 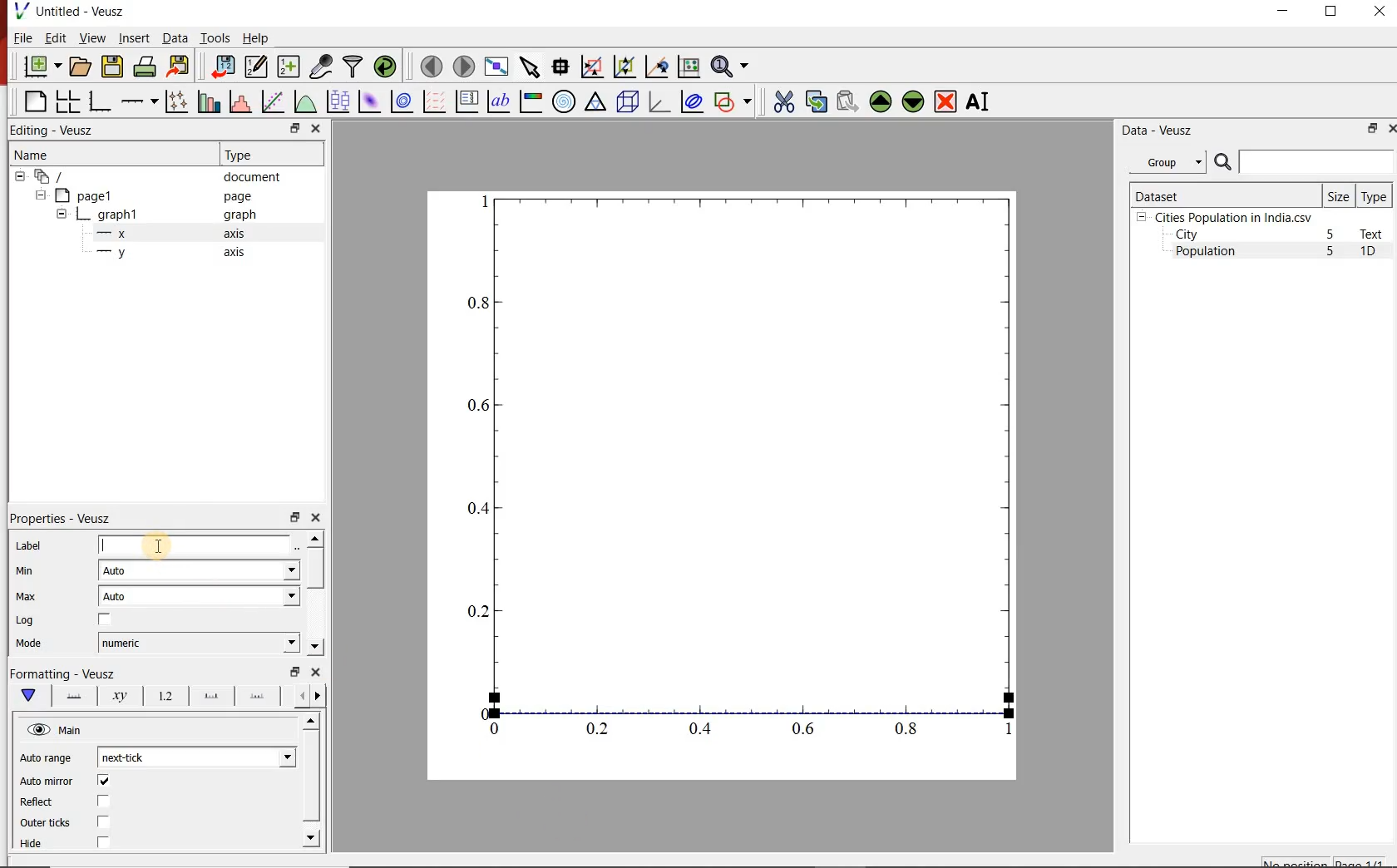 I want to click on graph1, so click(x=159, y=215).